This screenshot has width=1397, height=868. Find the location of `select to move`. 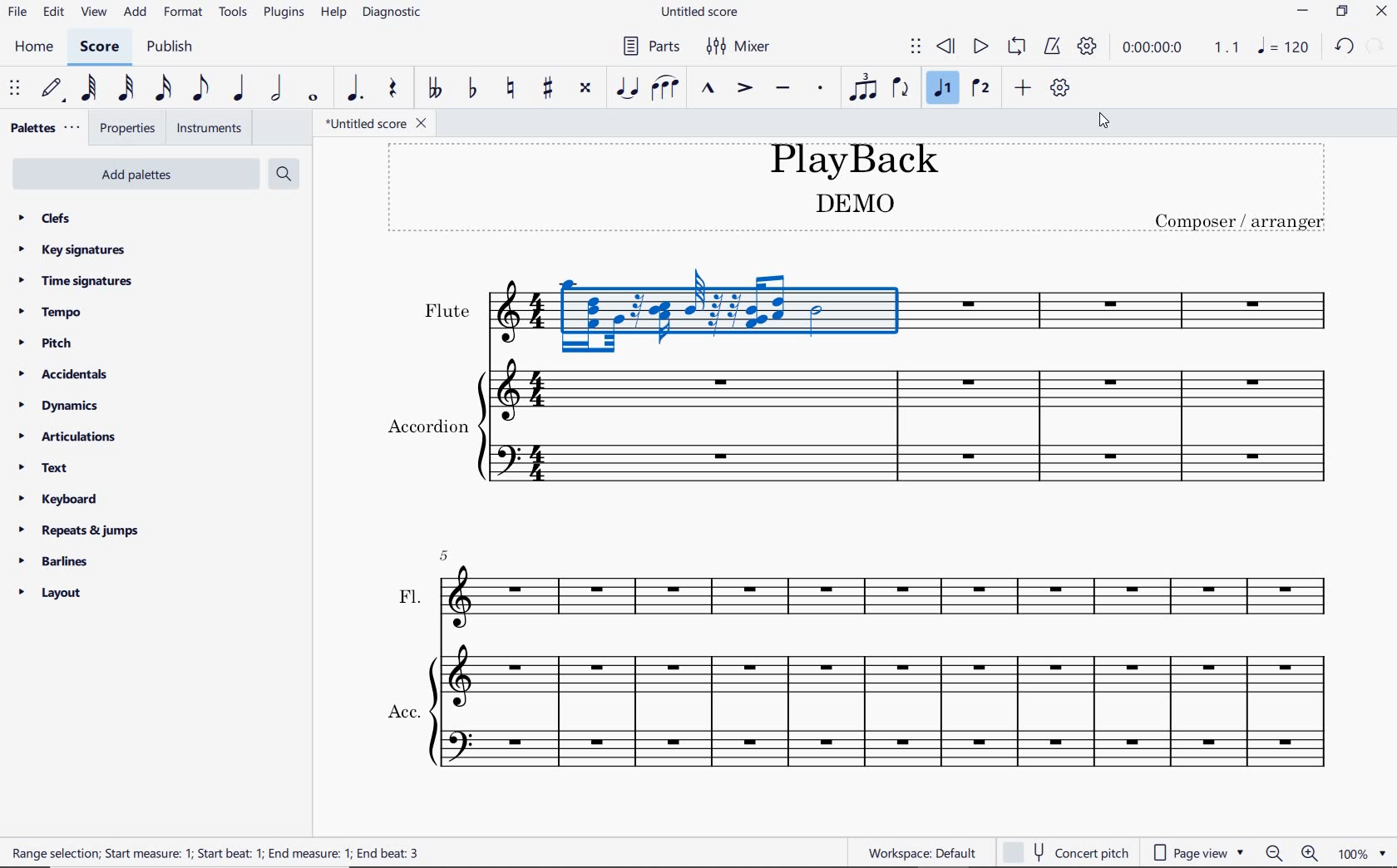

select to move is located at coordinates (914, 47).